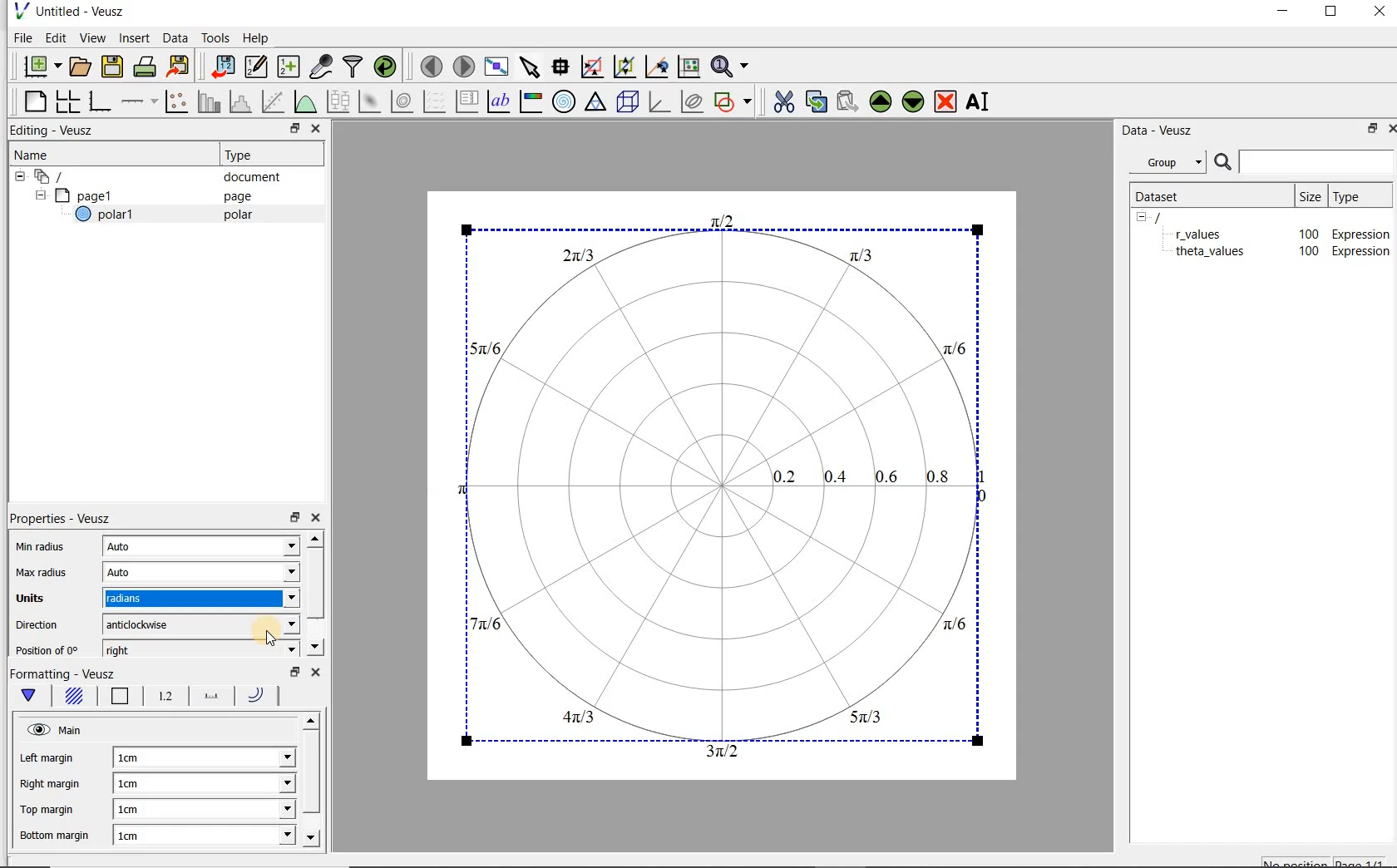 The height and width of the screenshot is (868, 1397). I want to click on File, so click(20, 38).